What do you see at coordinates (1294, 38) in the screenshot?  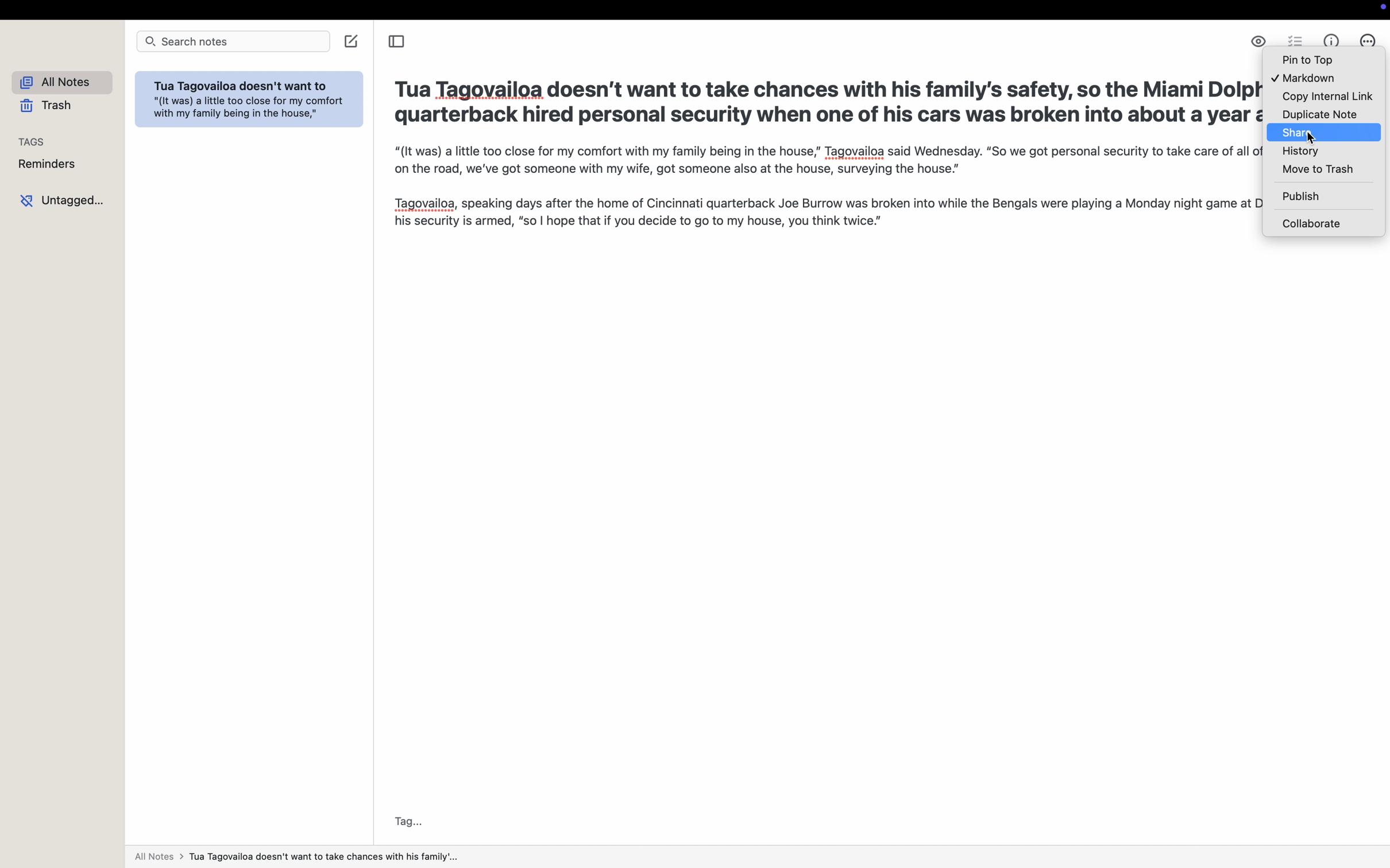 I see `check list` at bounding box center [1294, 38].